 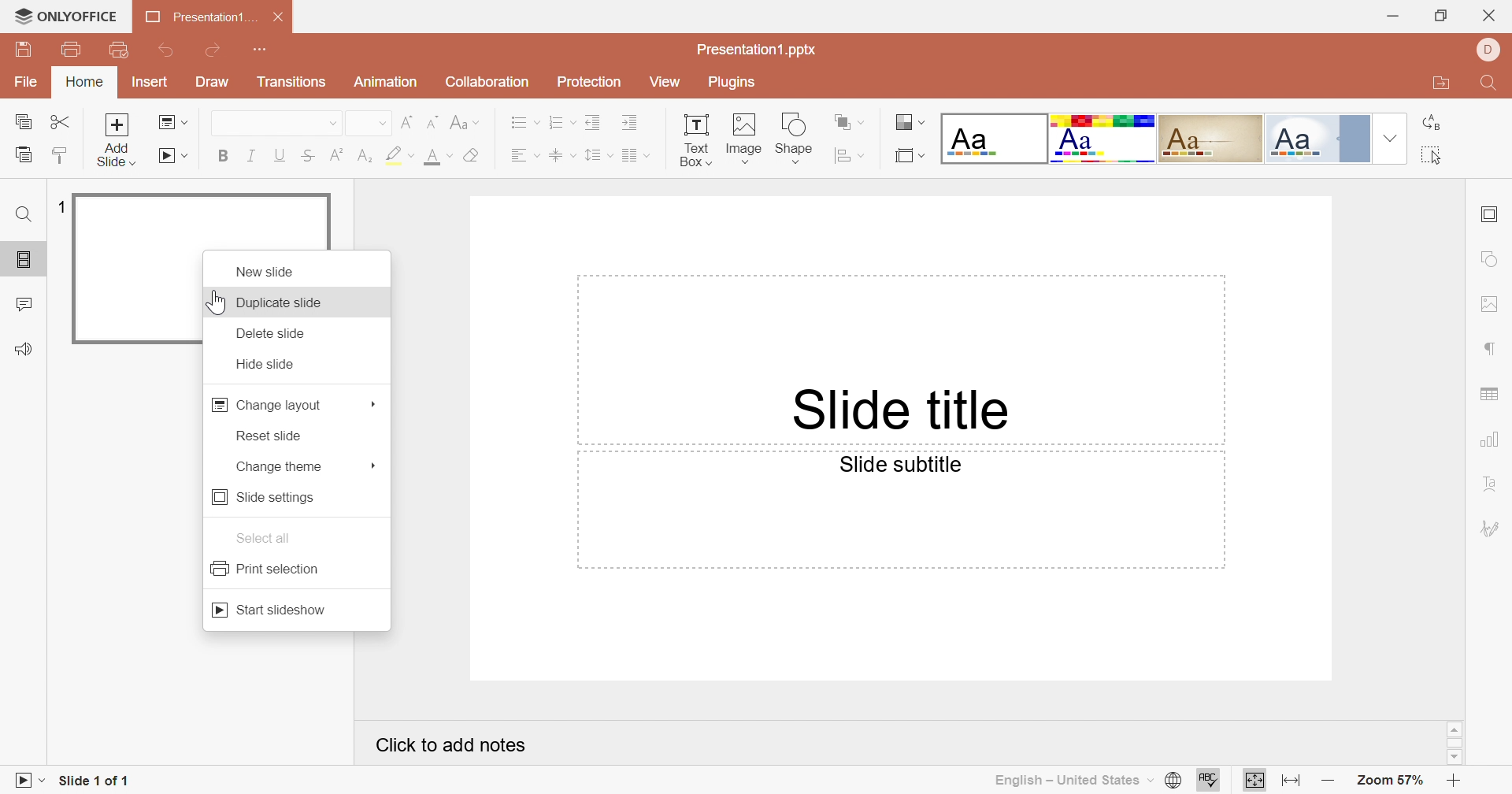 I want to click on Change color theme, so click(x=913, y=120).